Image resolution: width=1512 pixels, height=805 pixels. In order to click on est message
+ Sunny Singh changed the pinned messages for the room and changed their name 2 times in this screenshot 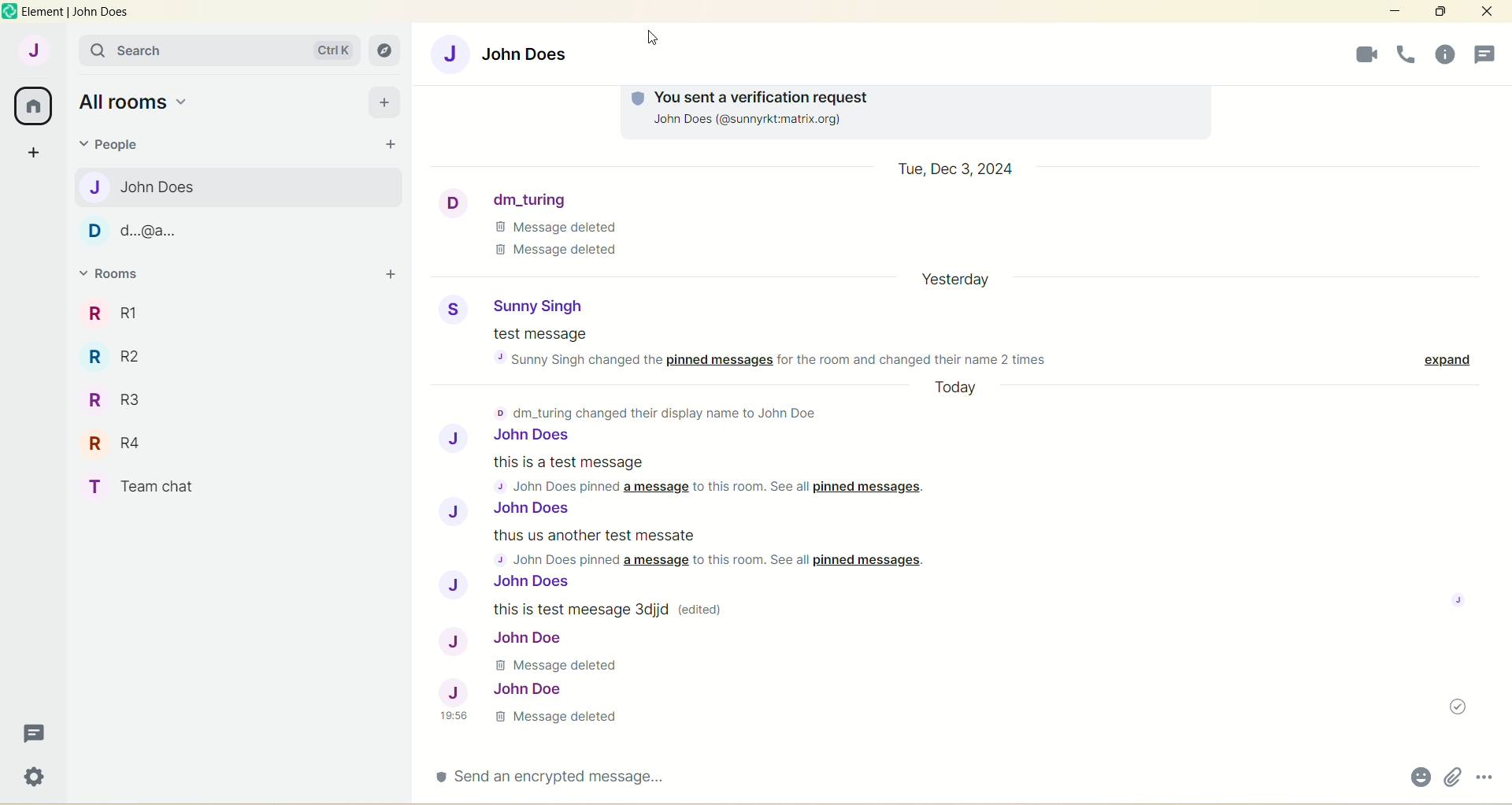, I will do `click(767, 347)`.